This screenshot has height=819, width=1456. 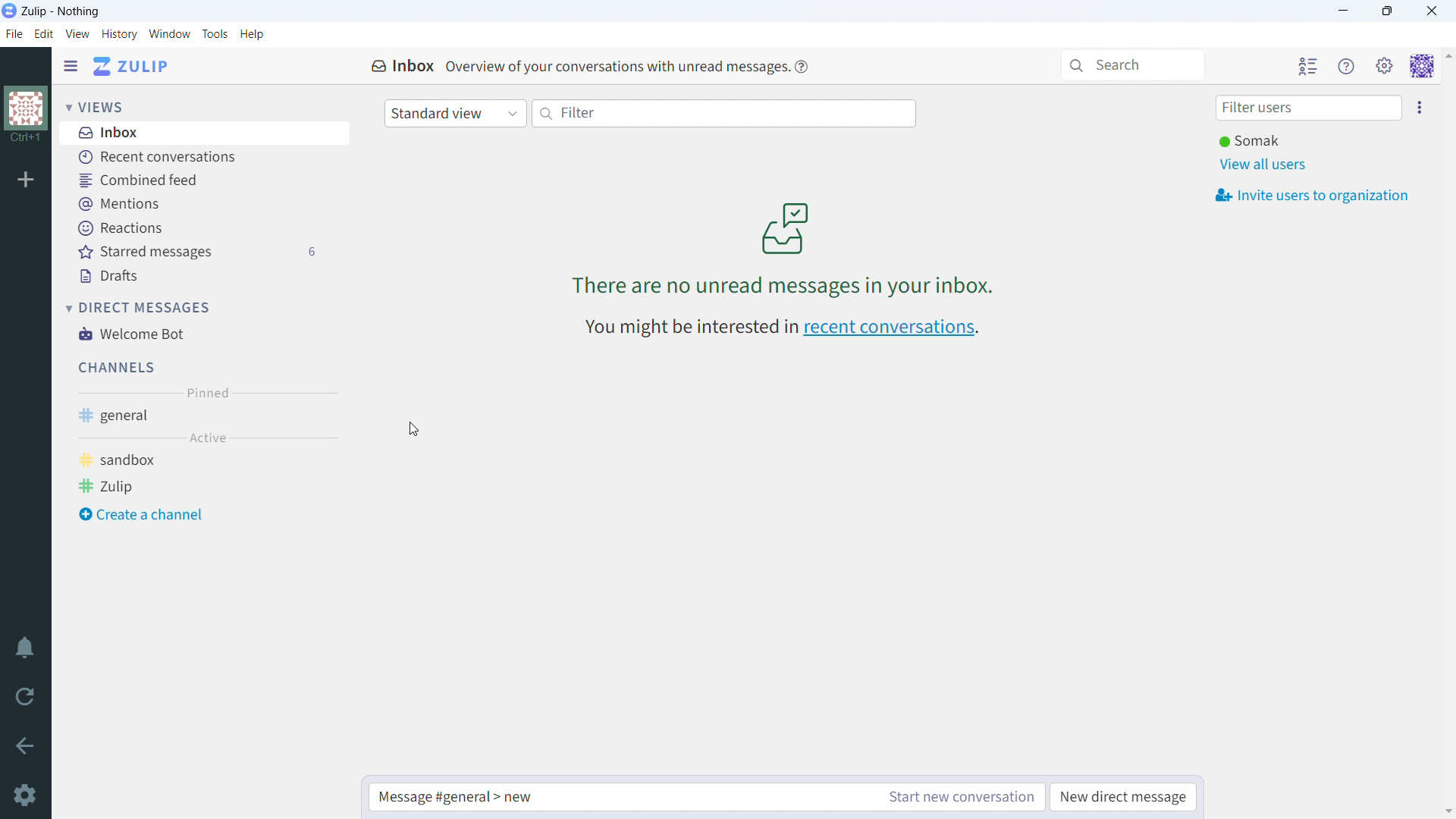 I want to click on add organization, so click(x=25, y=178).